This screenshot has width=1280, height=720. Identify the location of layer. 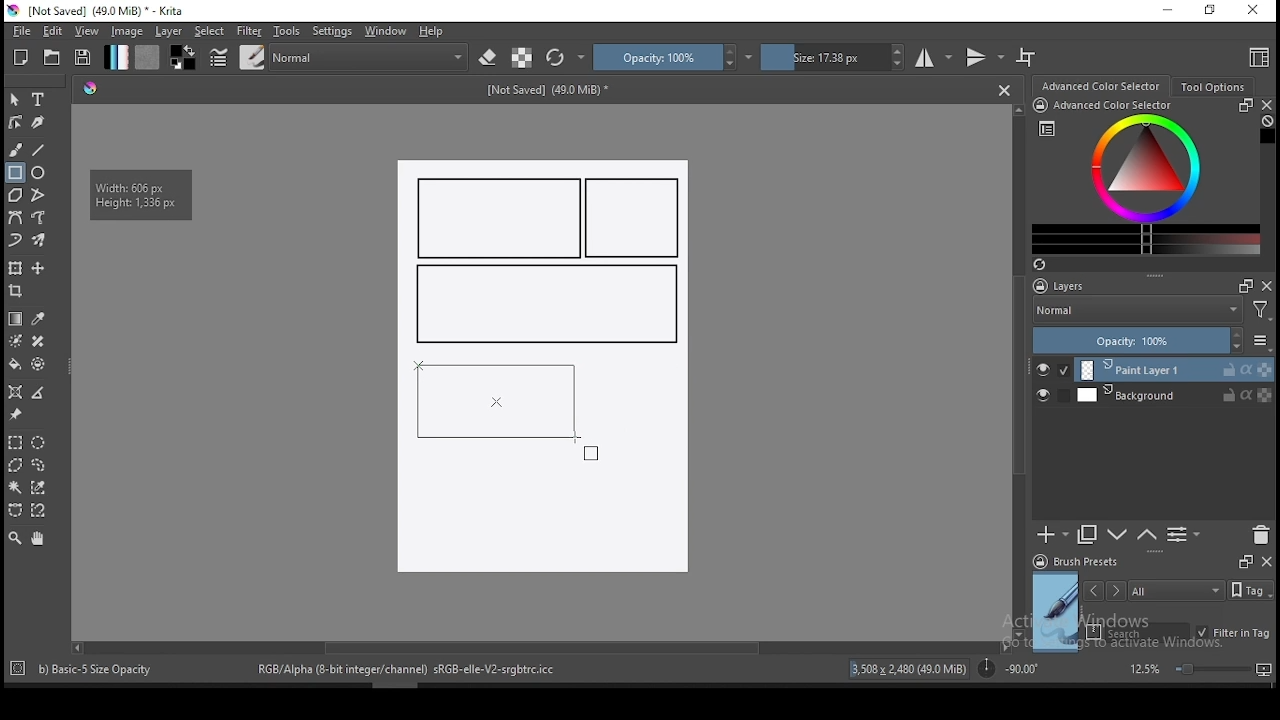
(1174, 395).